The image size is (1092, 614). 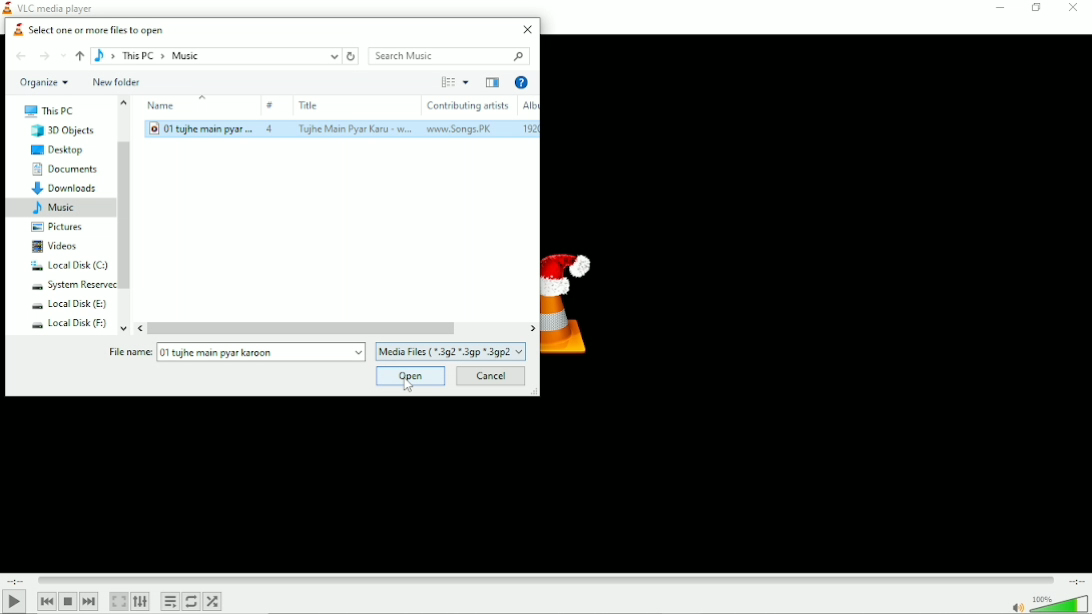 What do you see at coordinates (216, 56) in the screenshot?
I see `Location` at bounding box center [216, 56].